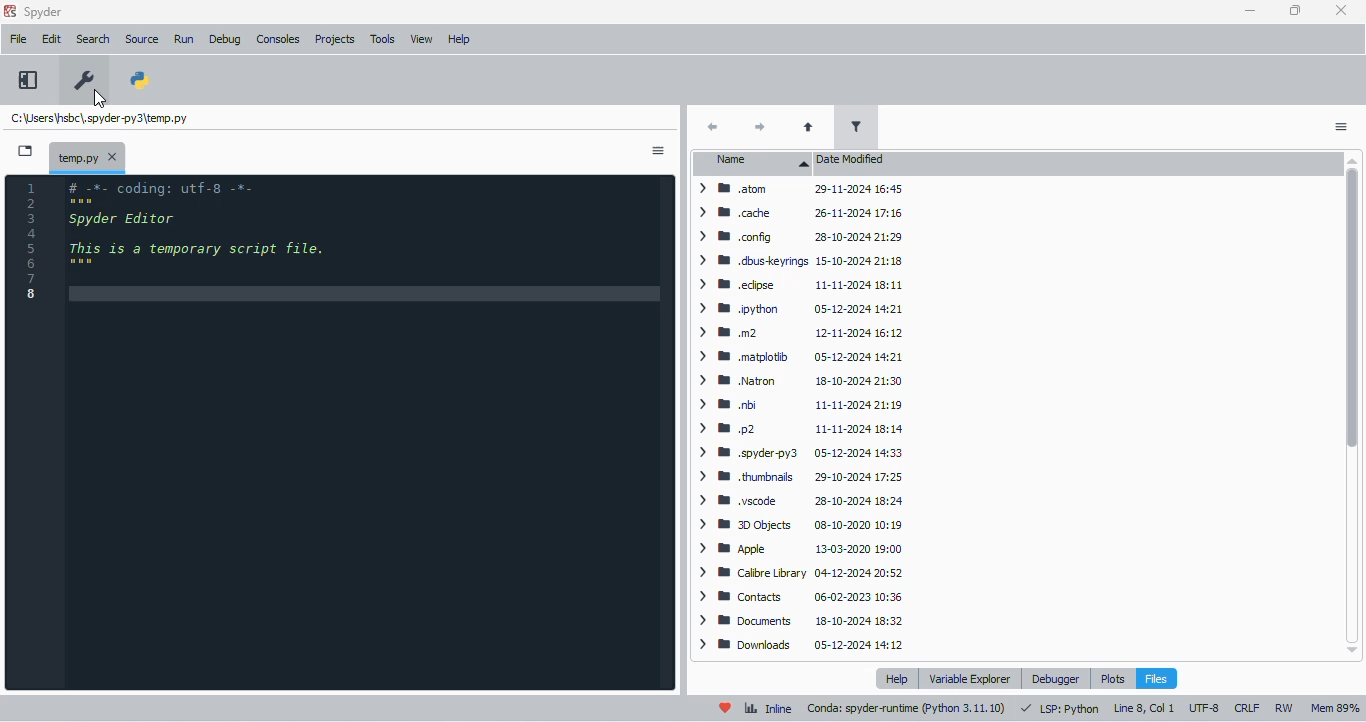 The width and height of the screenshot is (1366, 722). I want to click on editor, so click(366, 431).